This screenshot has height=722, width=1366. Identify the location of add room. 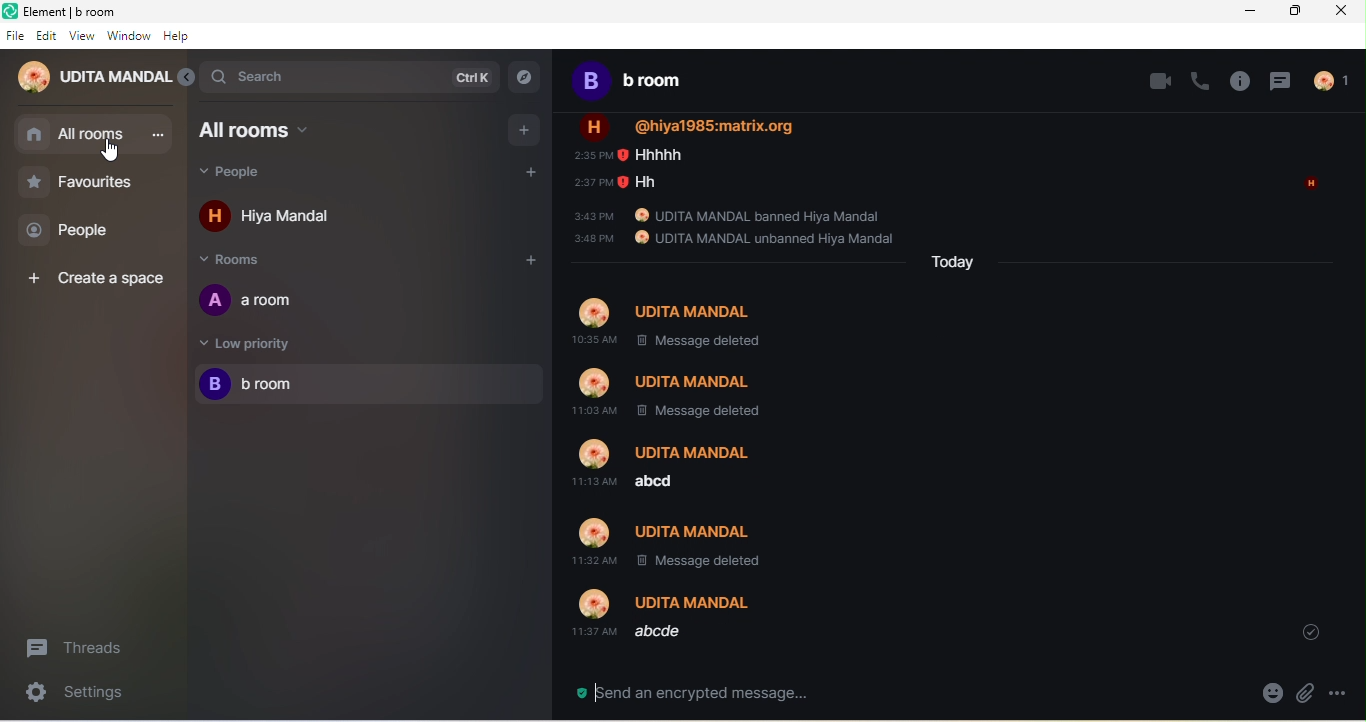
(523, 129).